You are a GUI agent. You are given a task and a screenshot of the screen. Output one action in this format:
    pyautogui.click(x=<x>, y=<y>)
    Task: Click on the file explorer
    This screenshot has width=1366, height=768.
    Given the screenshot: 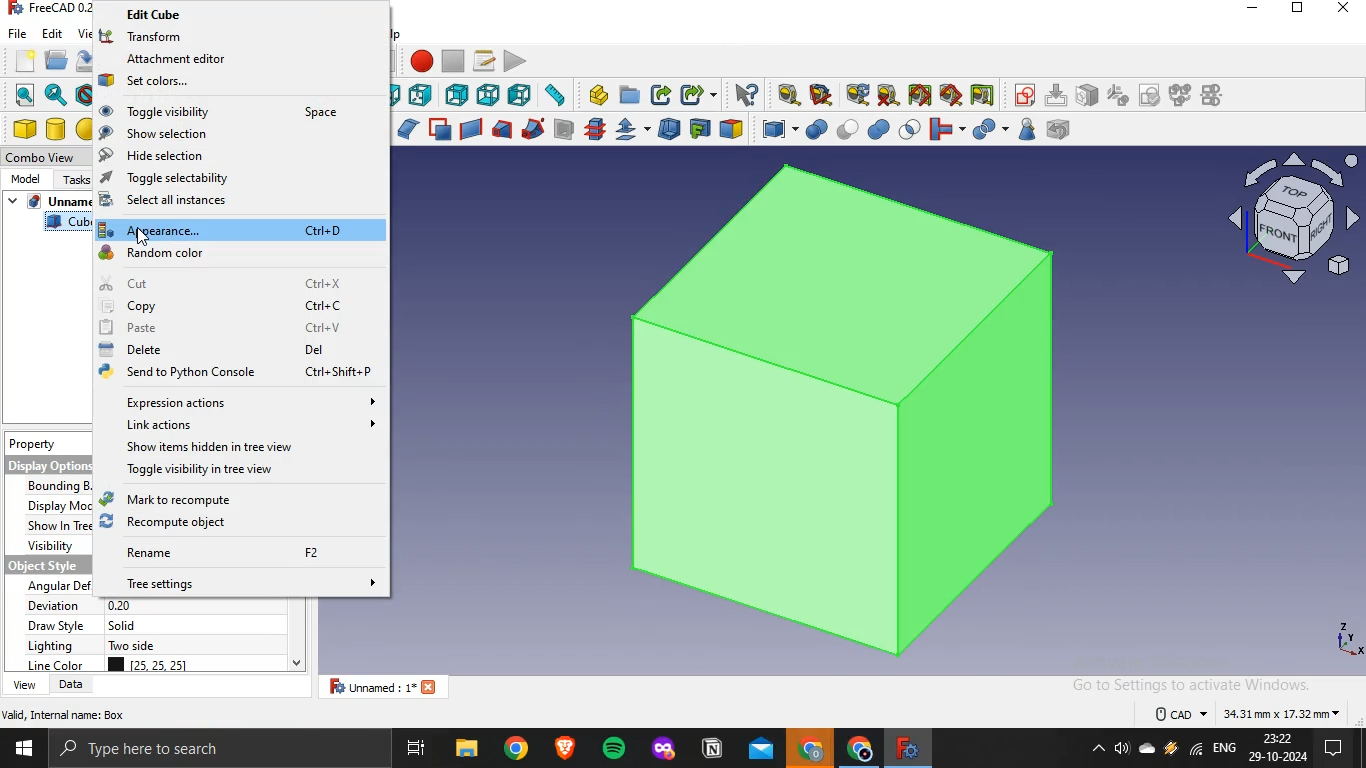 What is the action you would take?
    pyautogui.click(x=466, y=749)
    